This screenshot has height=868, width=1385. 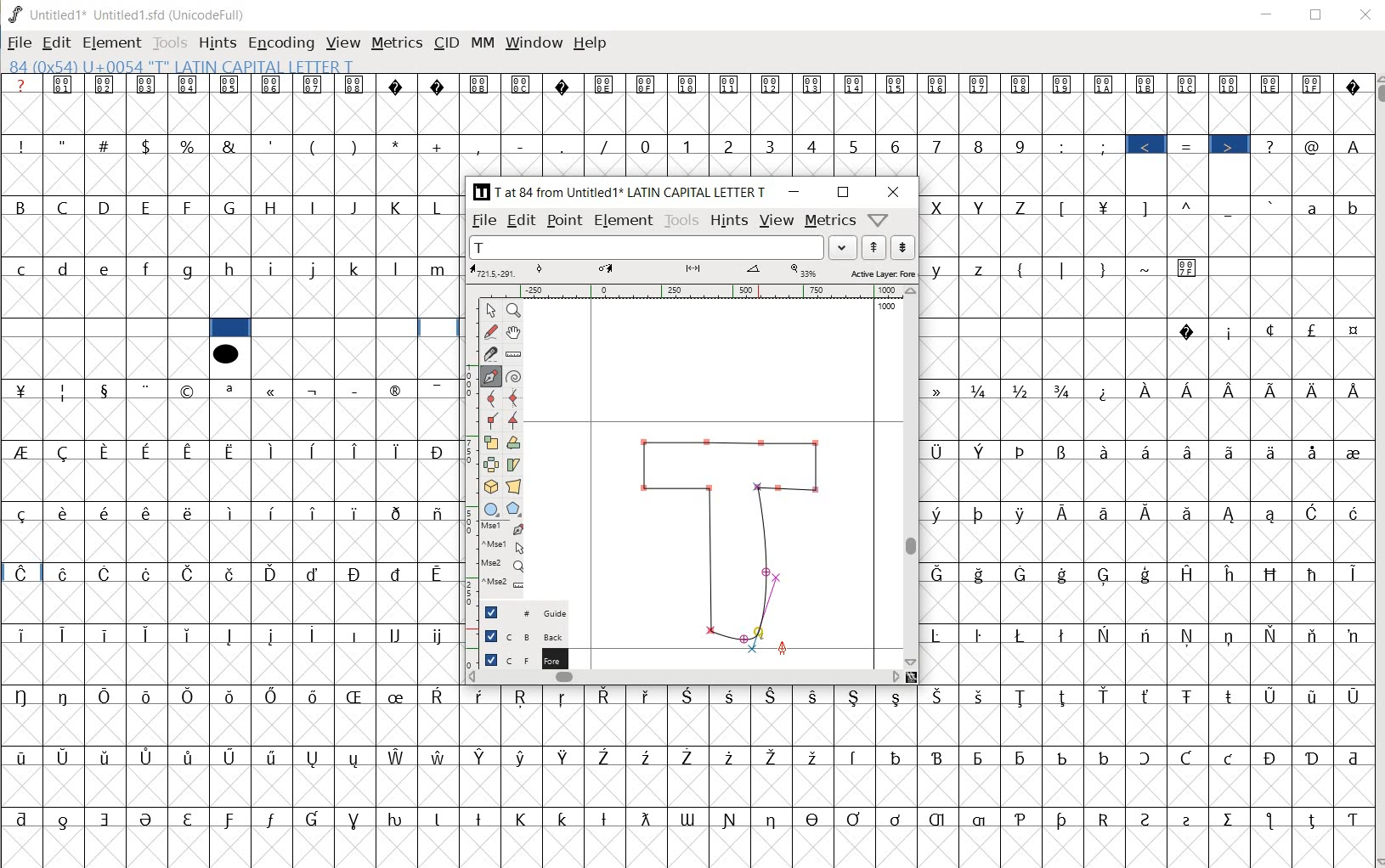 What do you see at coordinates (941, 573) in the screenshot?
I see `Symbol` at bounding box center [941, 573].